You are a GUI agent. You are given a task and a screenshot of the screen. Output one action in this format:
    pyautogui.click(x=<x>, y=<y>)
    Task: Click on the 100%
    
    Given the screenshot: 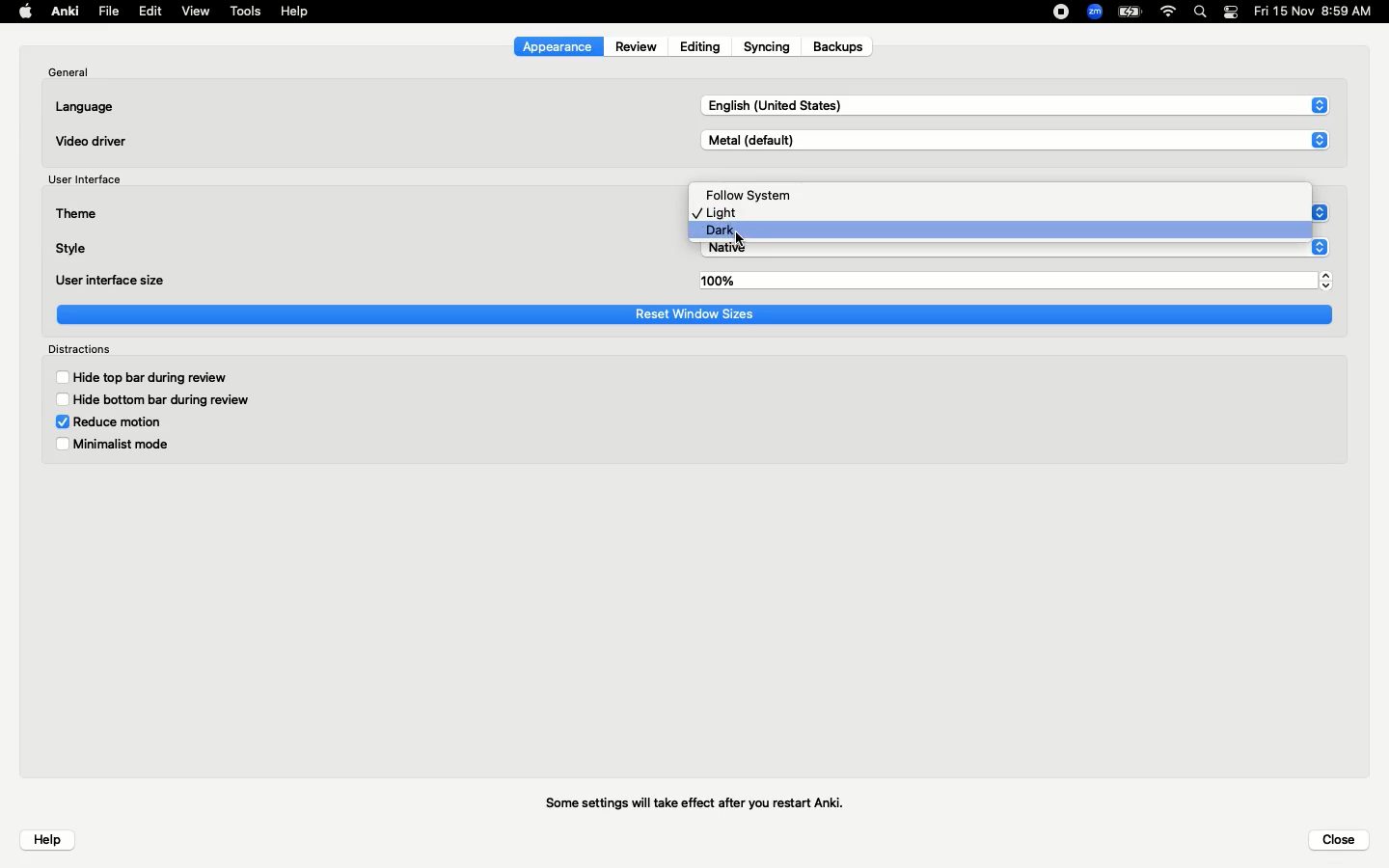 What is the action you would take?
    pyautogui.click(x=1017, y=279)
    